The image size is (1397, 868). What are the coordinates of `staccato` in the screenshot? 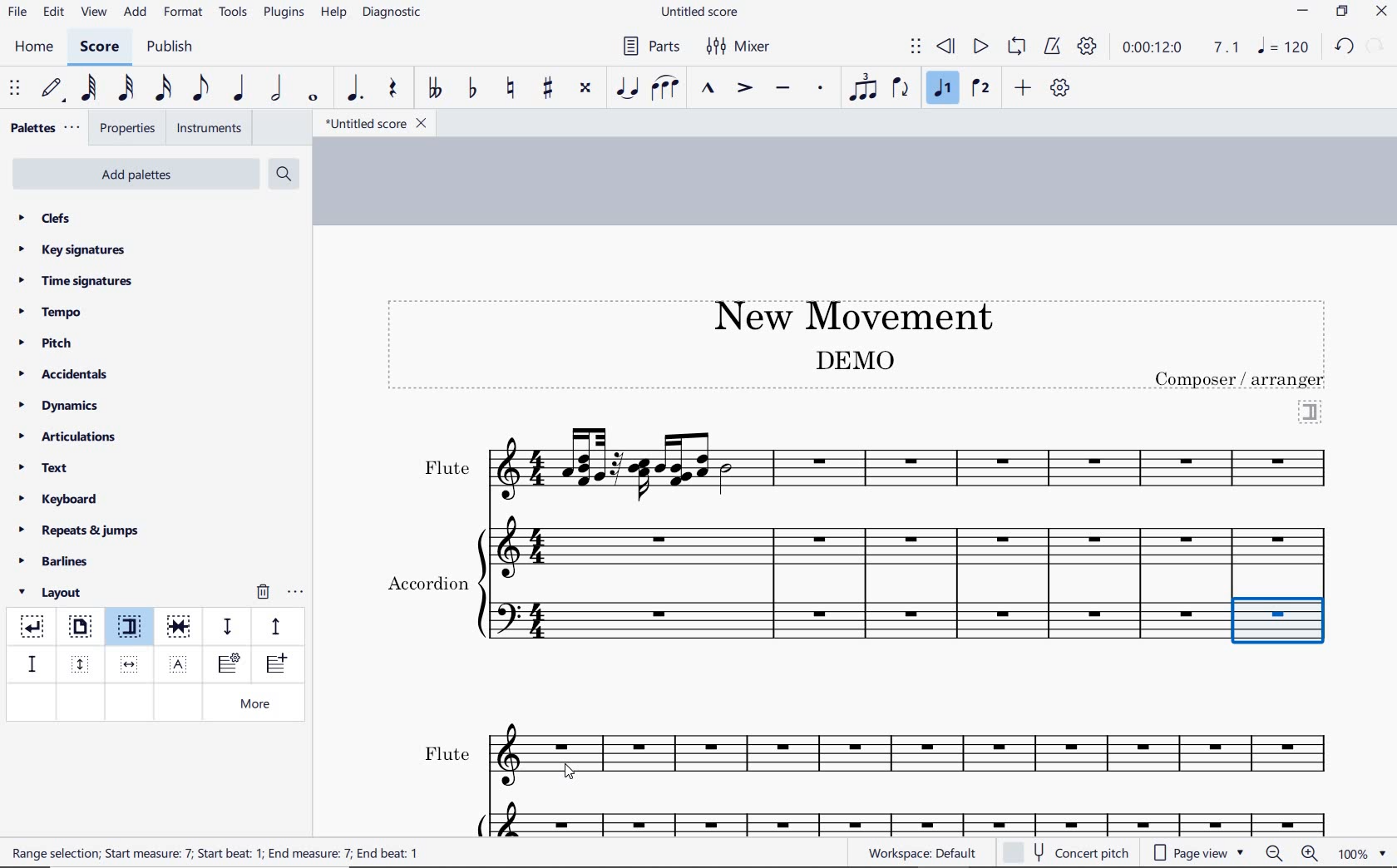 It's located at (821, 88).